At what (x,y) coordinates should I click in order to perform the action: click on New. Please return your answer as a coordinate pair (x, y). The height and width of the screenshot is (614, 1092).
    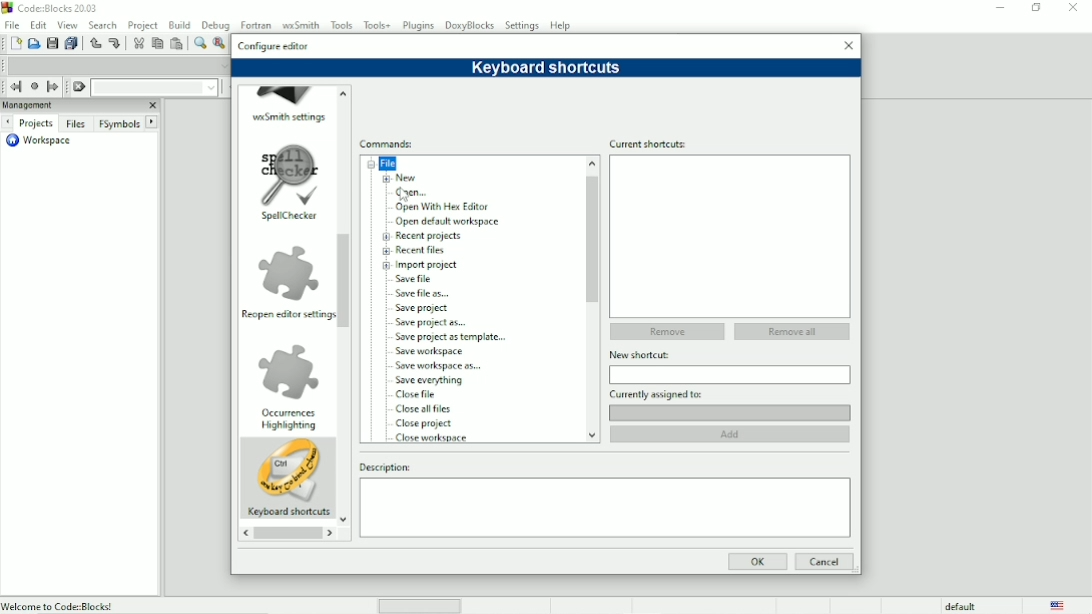
    Looking at the image, I should click on (407, 178).